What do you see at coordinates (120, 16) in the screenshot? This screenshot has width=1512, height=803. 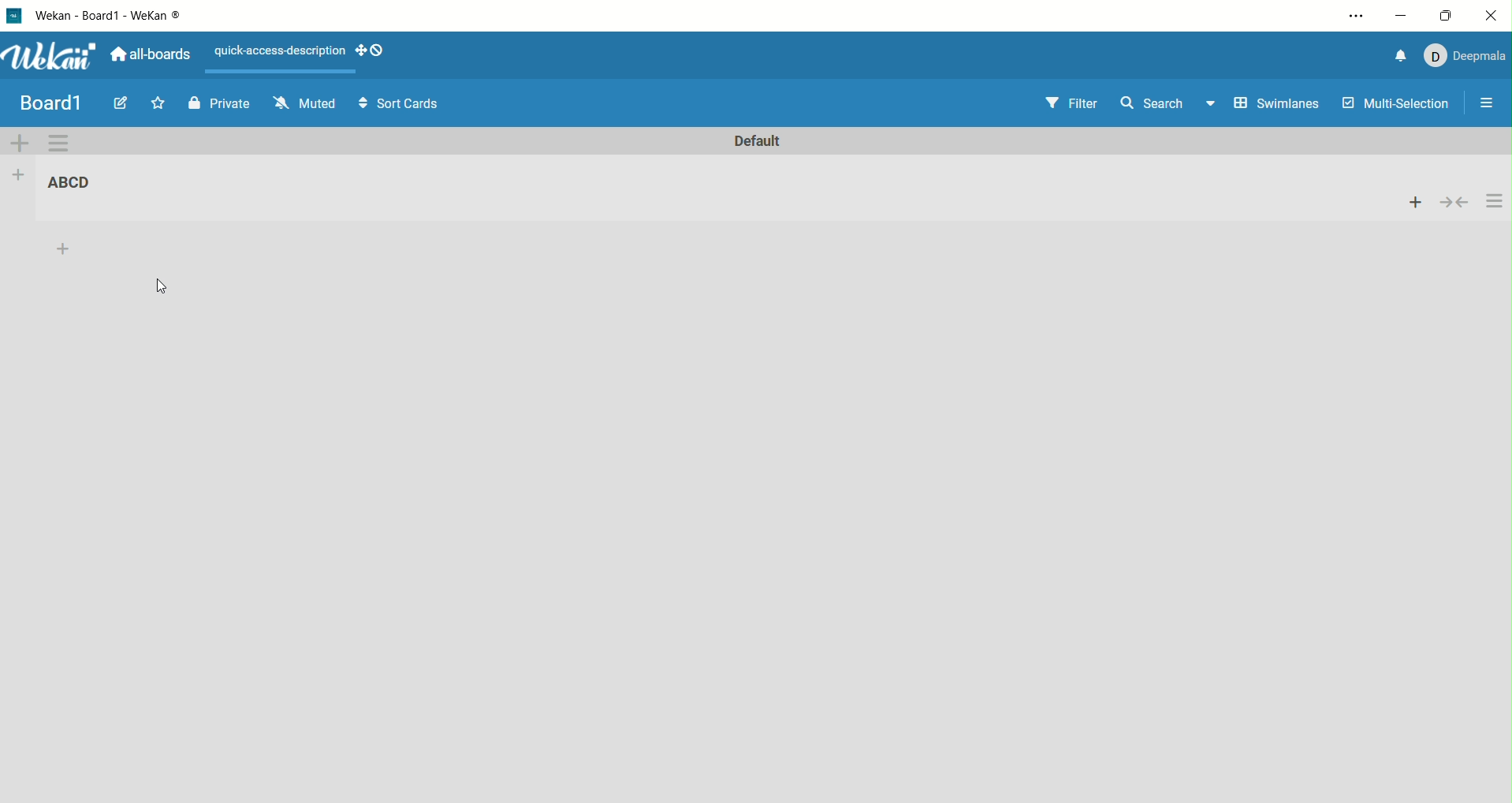 I see `wekan-wekan` at bounding box center [120, 16].